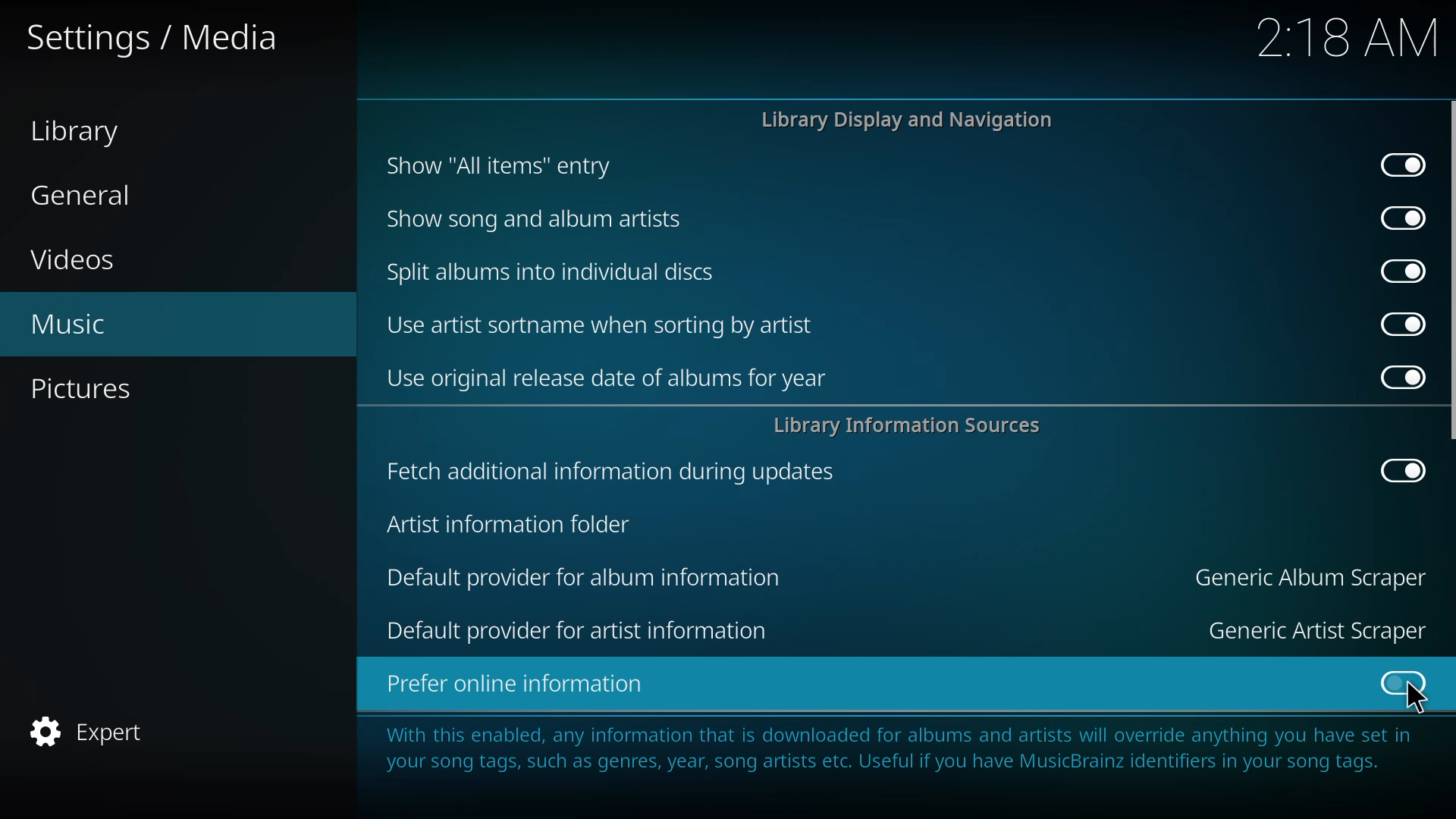 This screenshot has width=1456, height=819. Describe the element at coordinates (1453, 268) in the screenshot. I see `scroll bar` at that location.